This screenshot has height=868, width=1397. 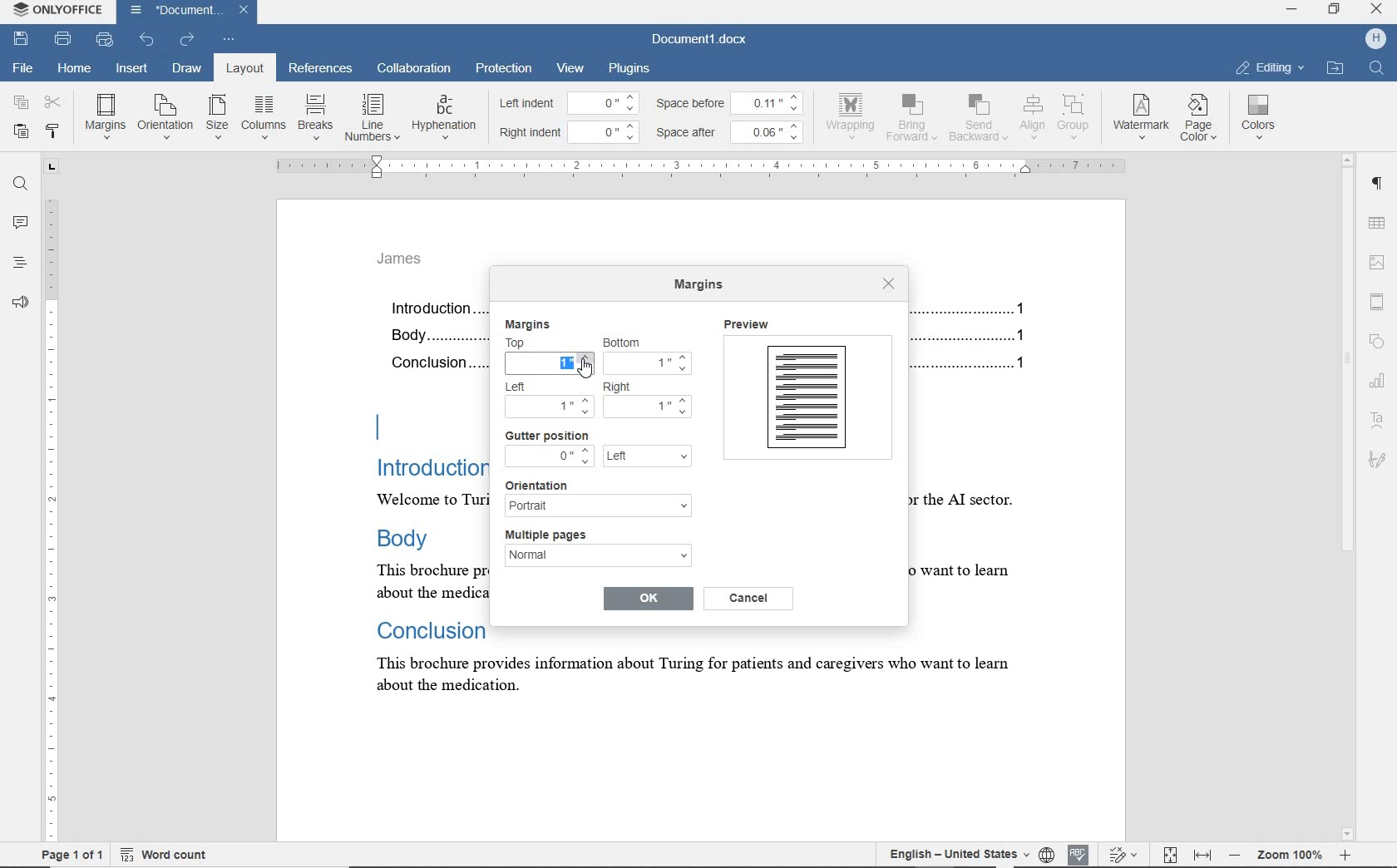 What do you see at coordinates (1338, 67) in the screenshot?
I see `OPEN LINK LOCATION` at bounding box center [1338, 67].